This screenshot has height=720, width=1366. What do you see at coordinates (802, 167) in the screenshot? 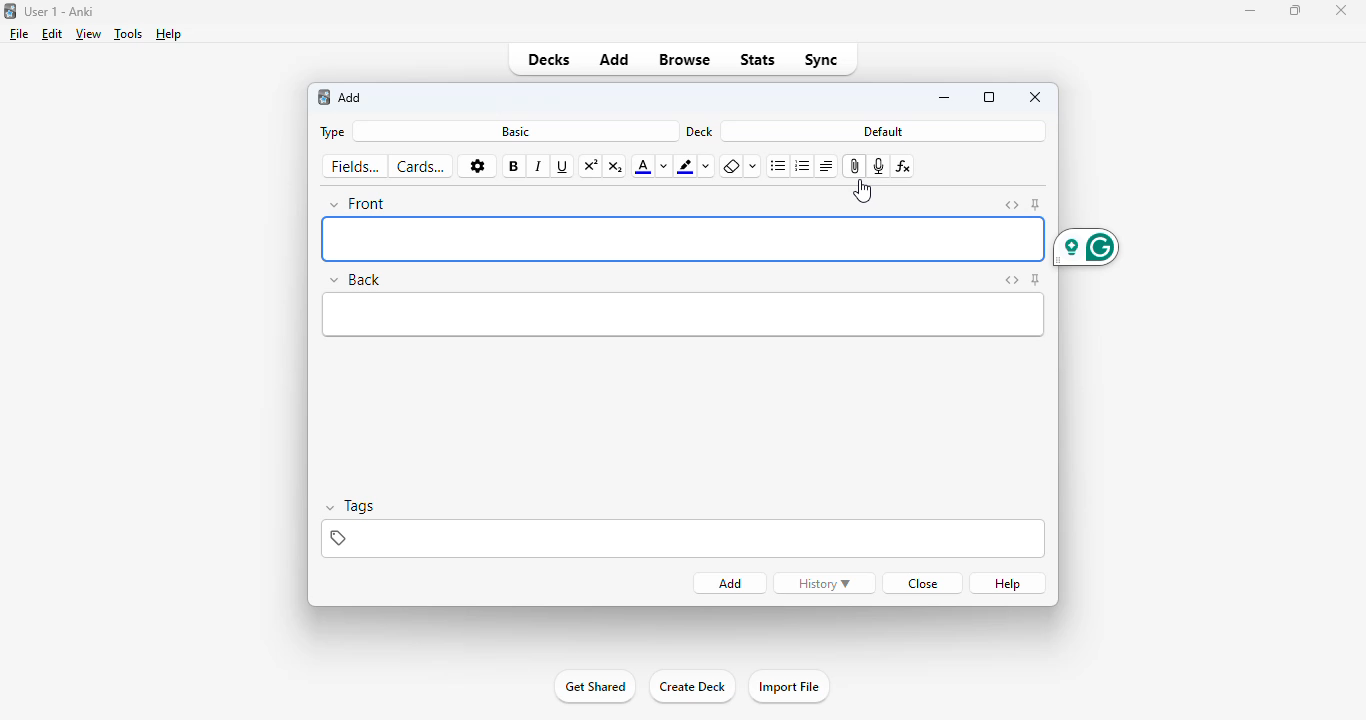
I see `ordered list` at bounding box center [802, 167].